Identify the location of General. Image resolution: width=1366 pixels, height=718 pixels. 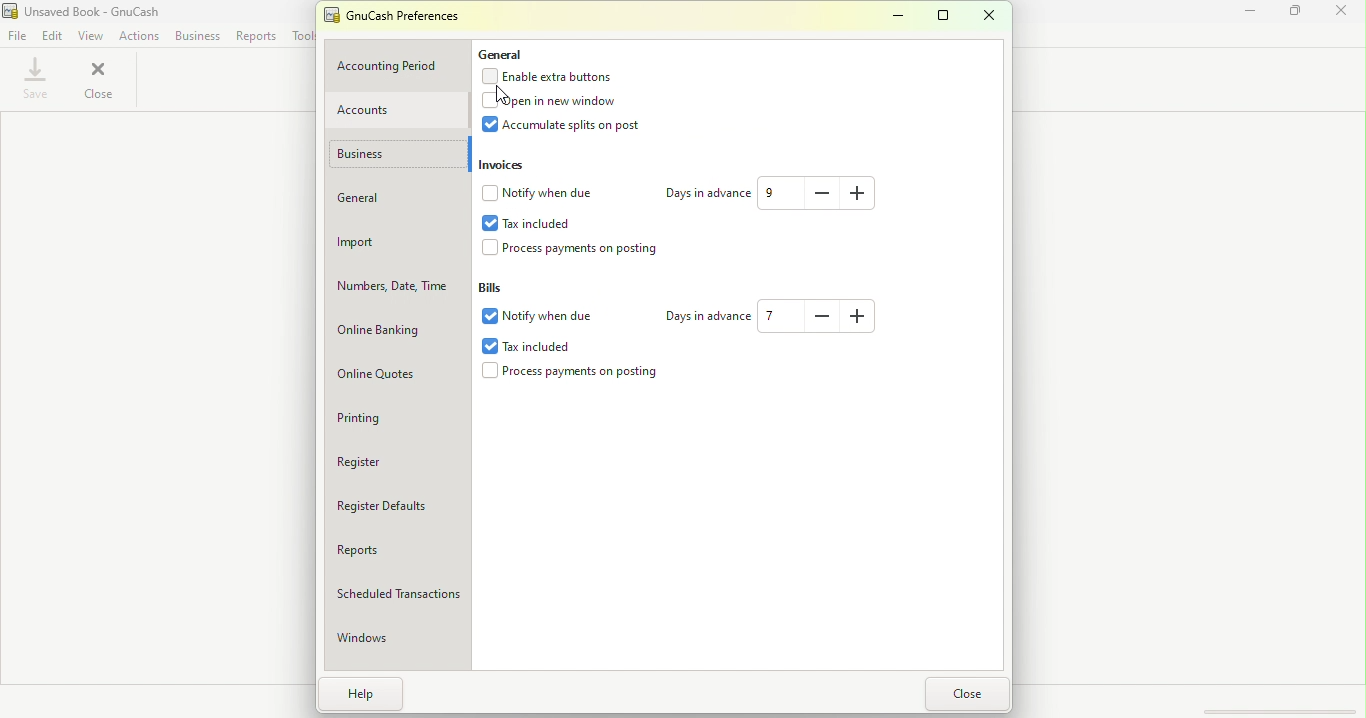
(397, 200).